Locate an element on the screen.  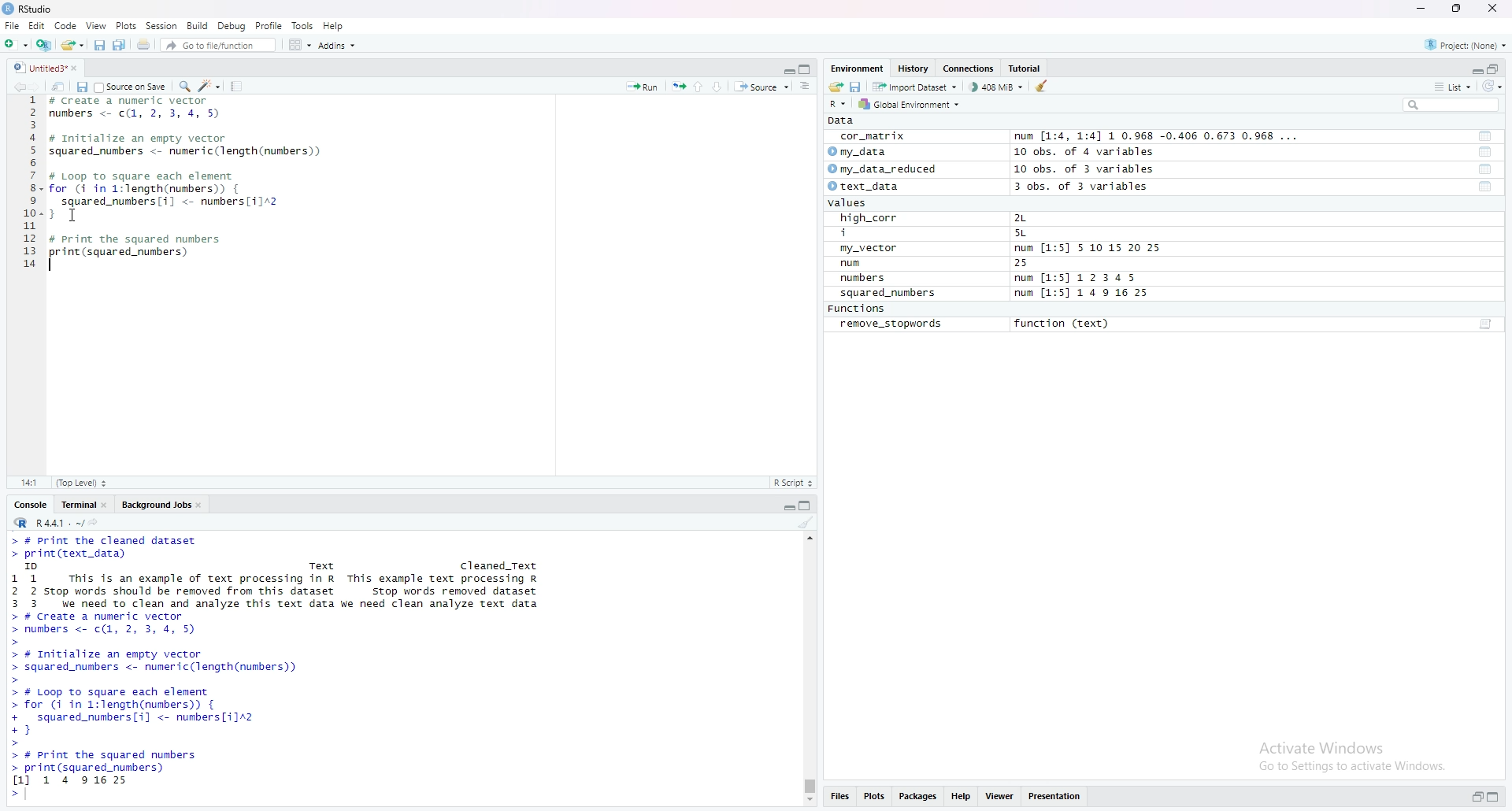
Save current document is located at coordinates (99, 43).